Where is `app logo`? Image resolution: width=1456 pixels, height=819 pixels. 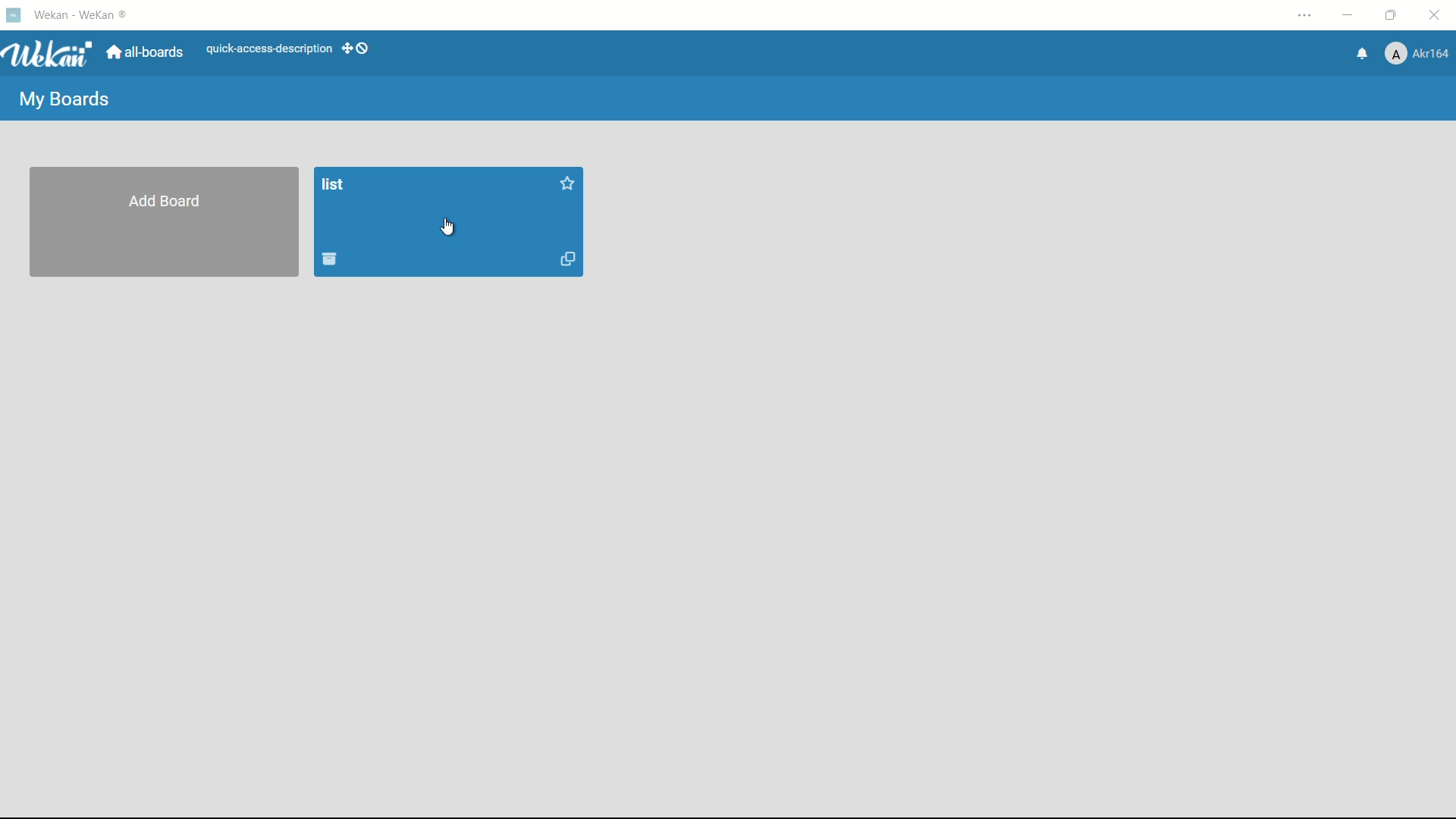
app logo is located at coordinates (49, 54).